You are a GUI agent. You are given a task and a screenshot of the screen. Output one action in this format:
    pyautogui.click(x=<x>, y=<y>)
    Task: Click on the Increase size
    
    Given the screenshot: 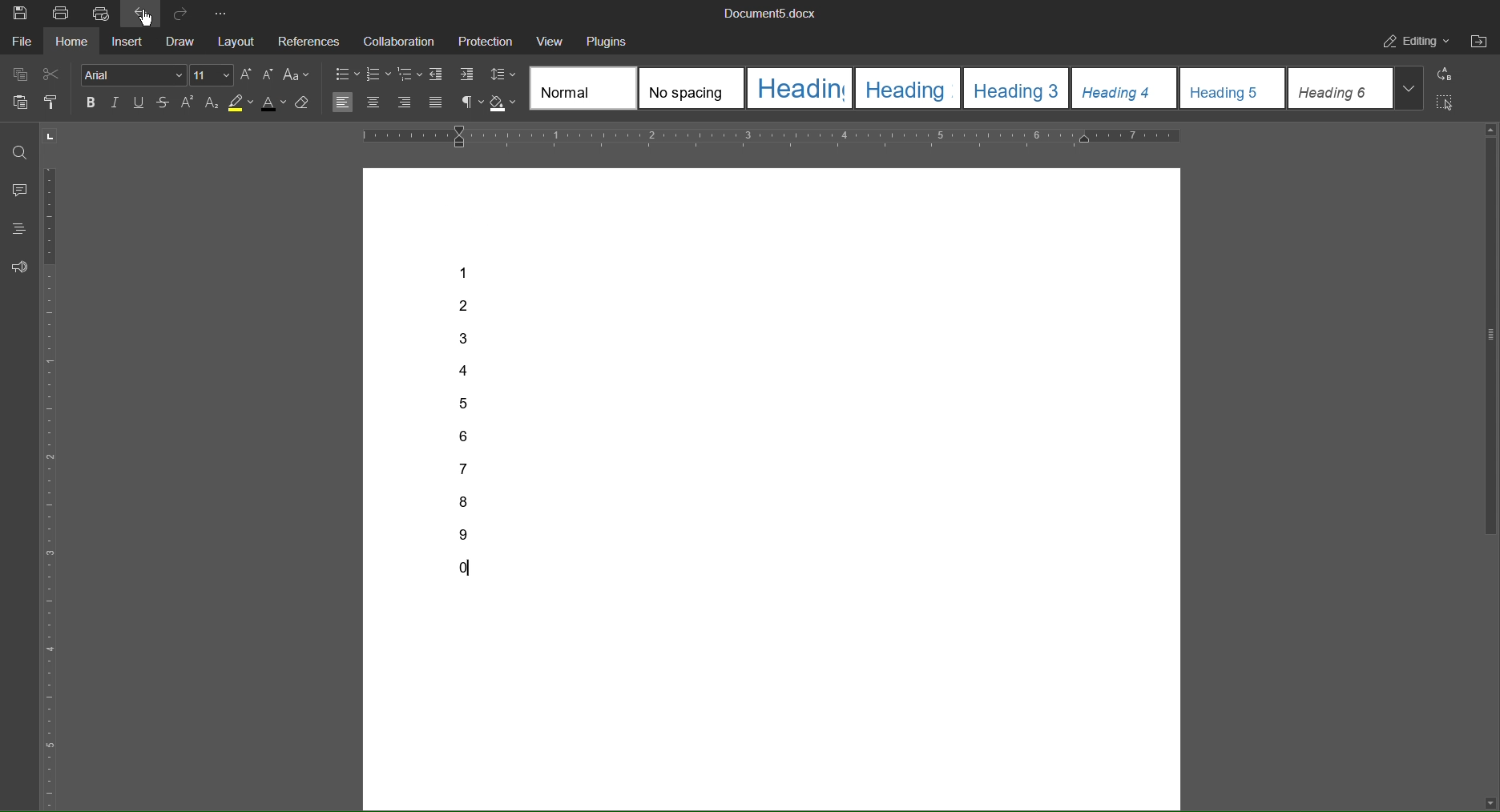 What is the action you would take?
    pyautogui.click(x=247, y=74)
    